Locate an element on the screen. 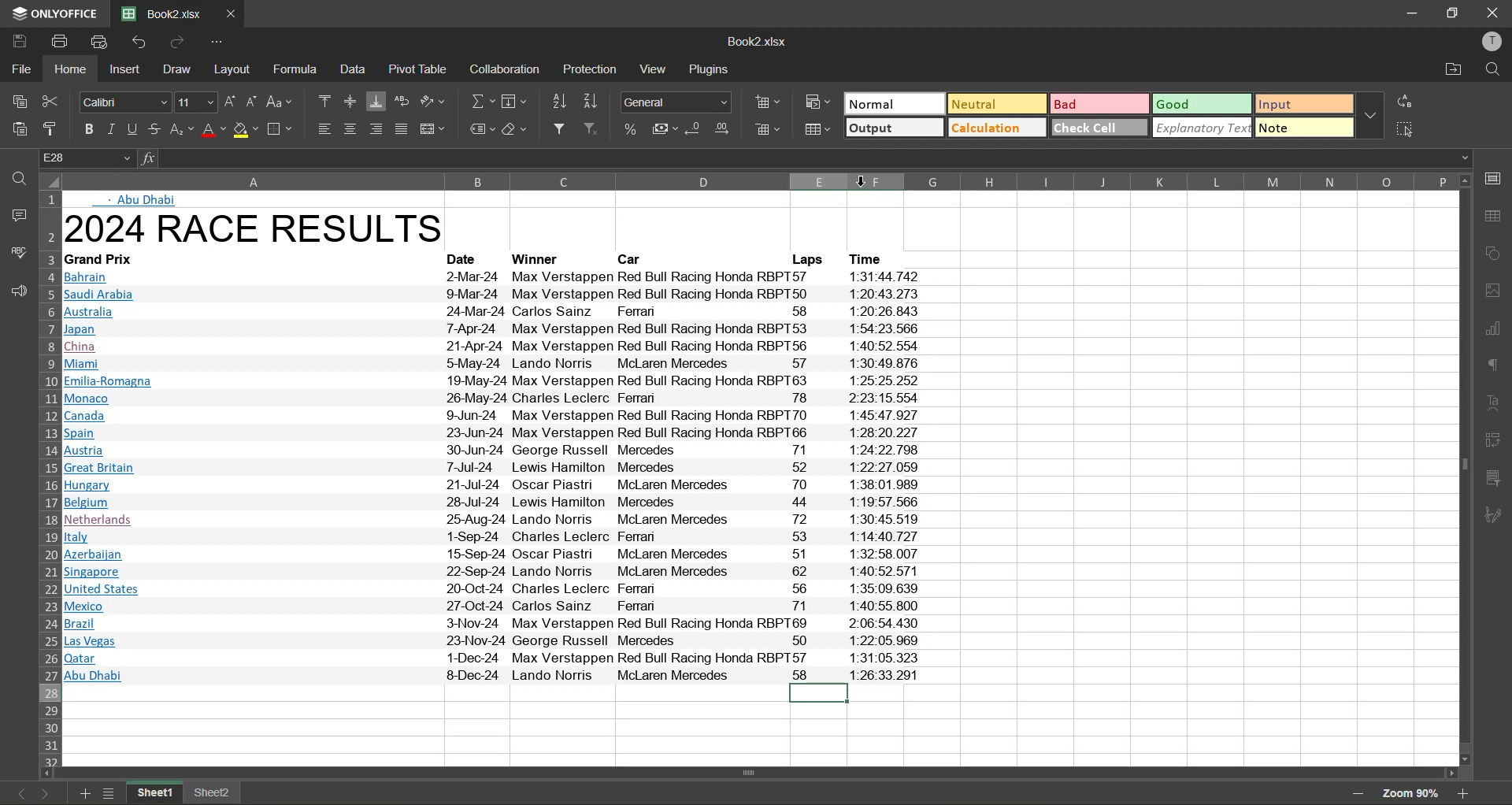 The image size is (1512, 805). copy is located at coordinates (15, 99).